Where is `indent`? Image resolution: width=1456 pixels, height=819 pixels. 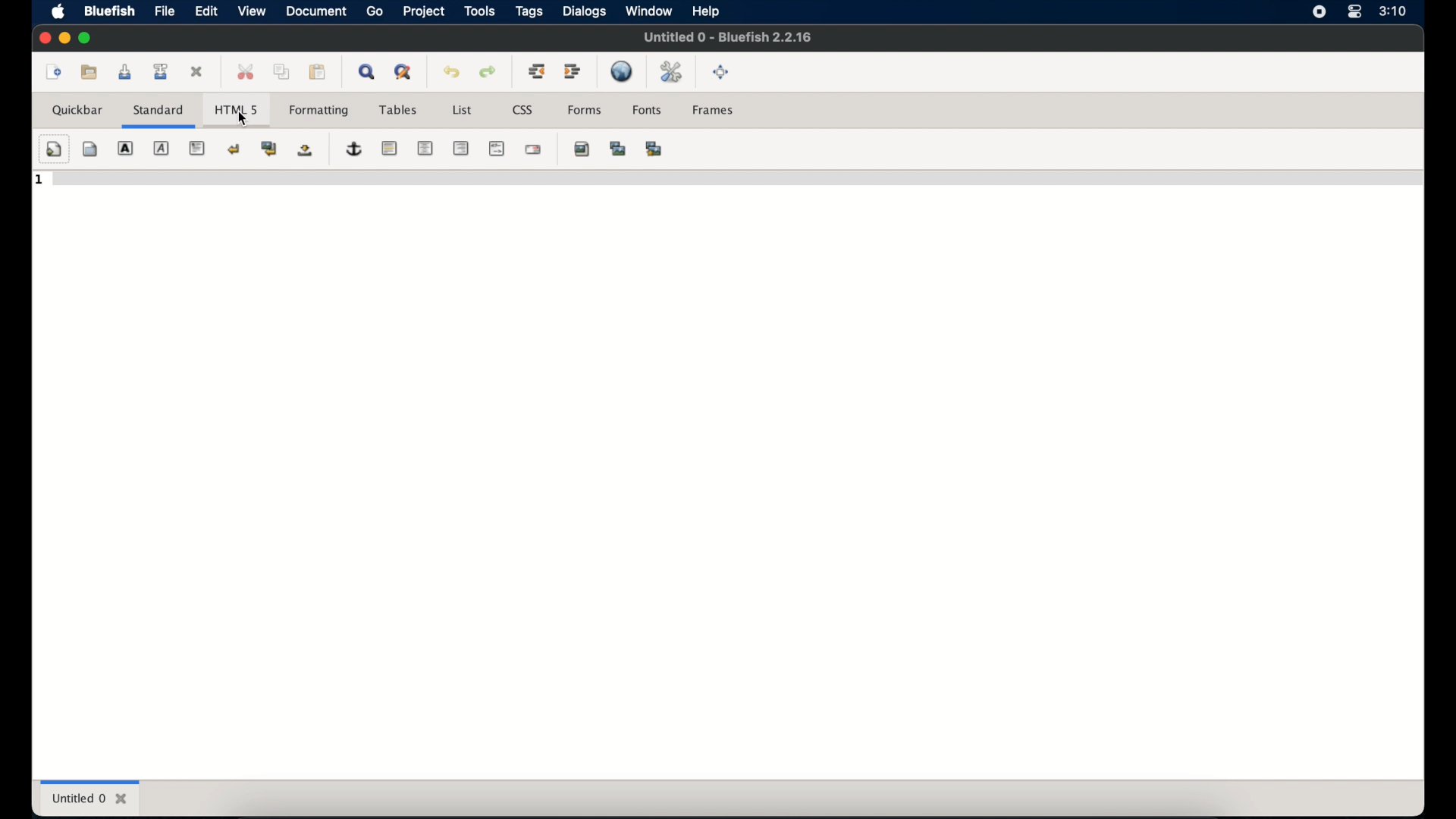
indent is located at coordinates (573, 71).